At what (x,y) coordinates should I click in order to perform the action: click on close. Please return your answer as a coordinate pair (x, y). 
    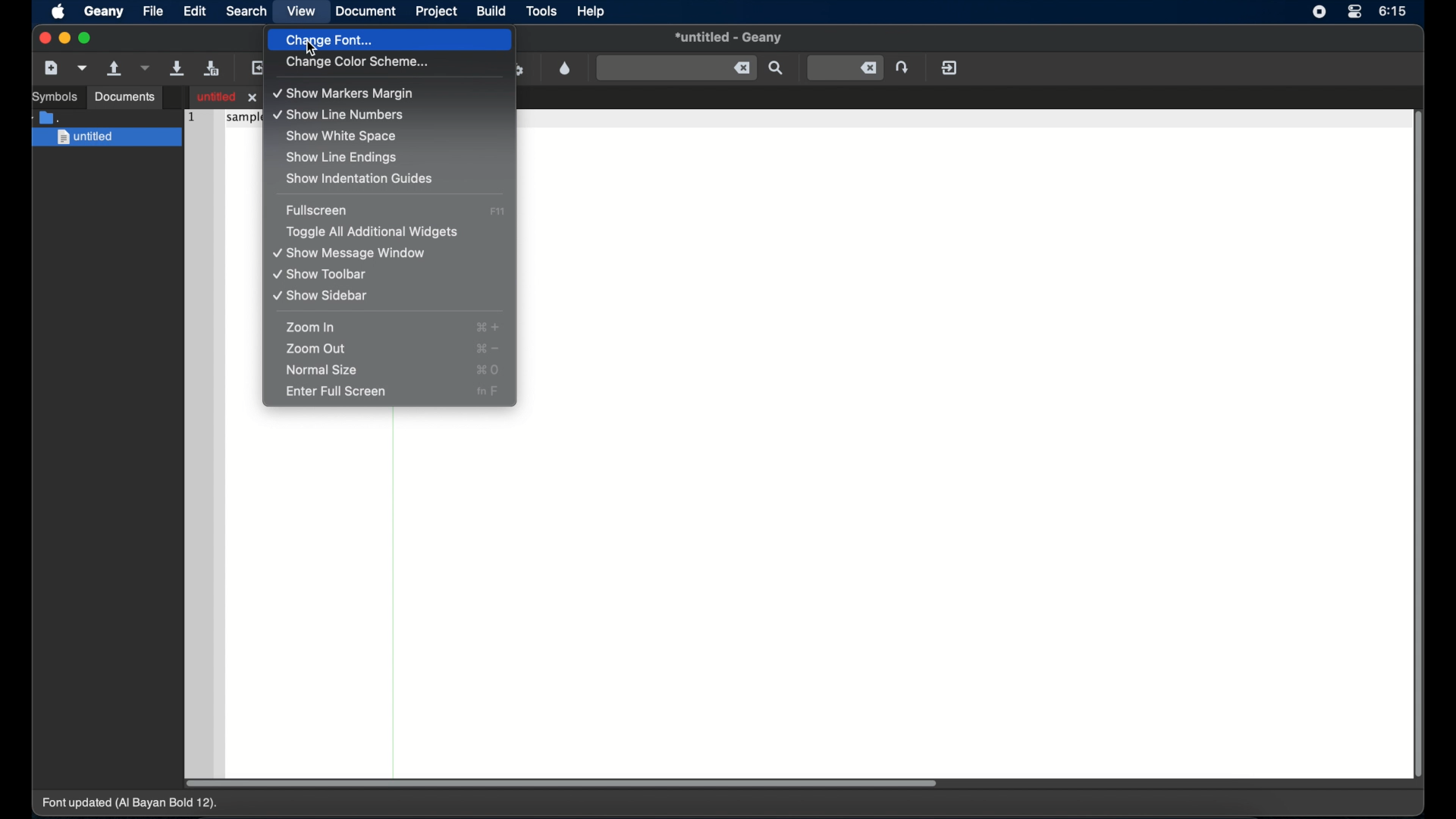
    Looking at the image, I should click on (43, 38).